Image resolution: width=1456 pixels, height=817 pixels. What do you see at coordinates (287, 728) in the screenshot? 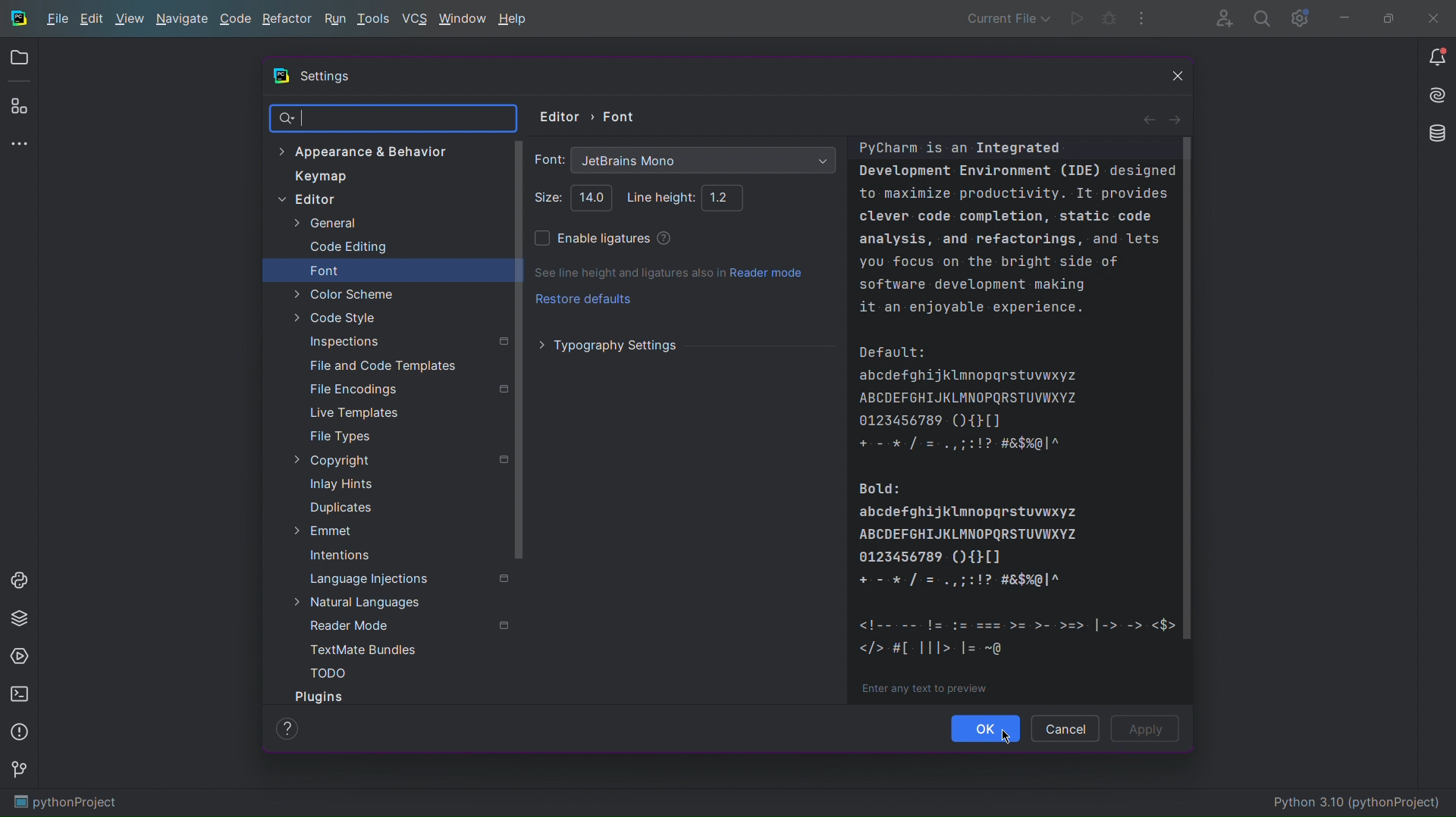
I see `Help` at bounding box center [287, 728].